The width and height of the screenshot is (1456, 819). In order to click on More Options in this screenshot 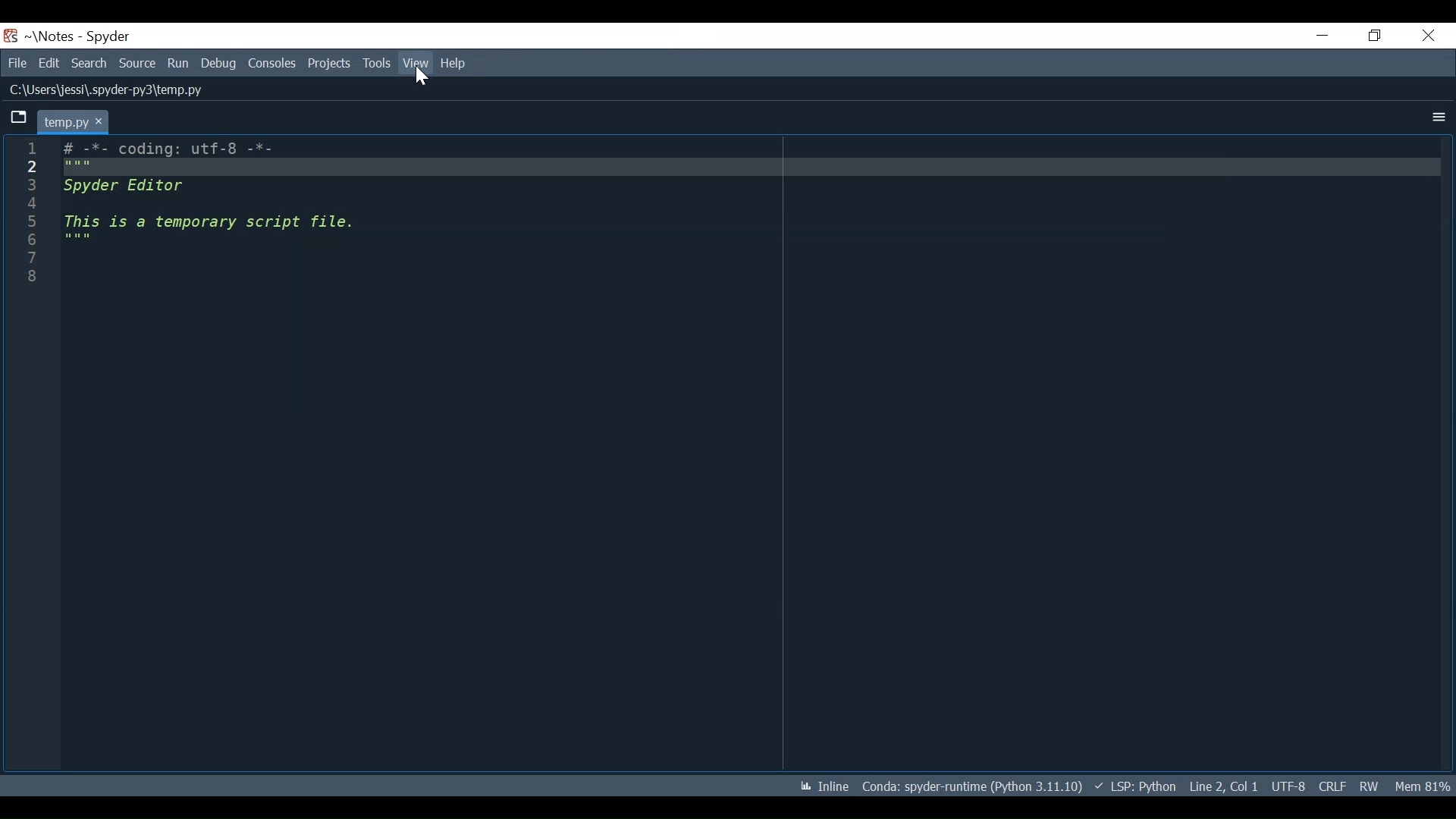, I will do `click(1439, 118)`.